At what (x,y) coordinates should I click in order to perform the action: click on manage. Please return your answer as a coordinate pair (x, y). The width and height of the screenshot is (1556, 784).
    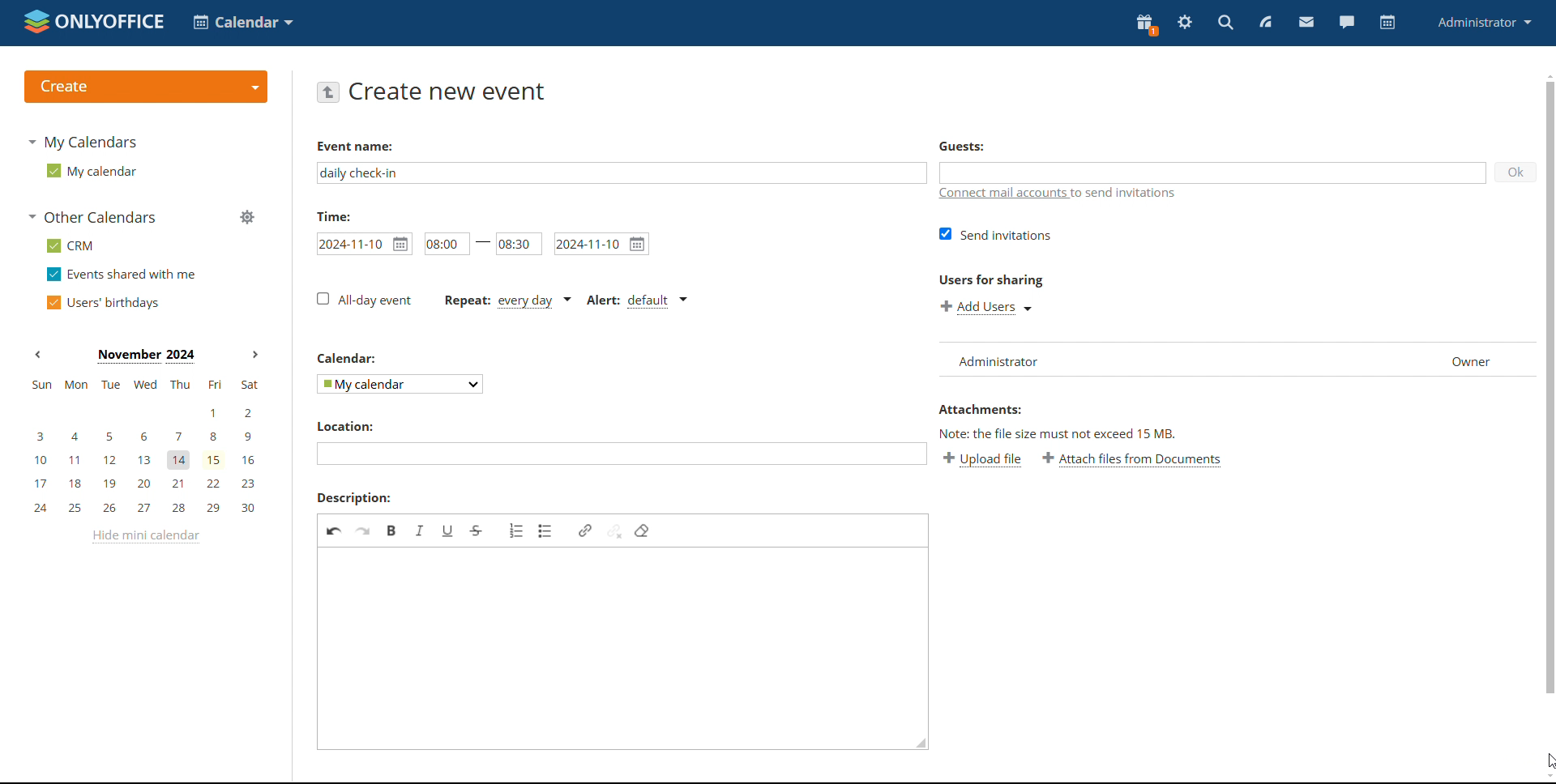
    Looking at the image, I should click on (246, 217).